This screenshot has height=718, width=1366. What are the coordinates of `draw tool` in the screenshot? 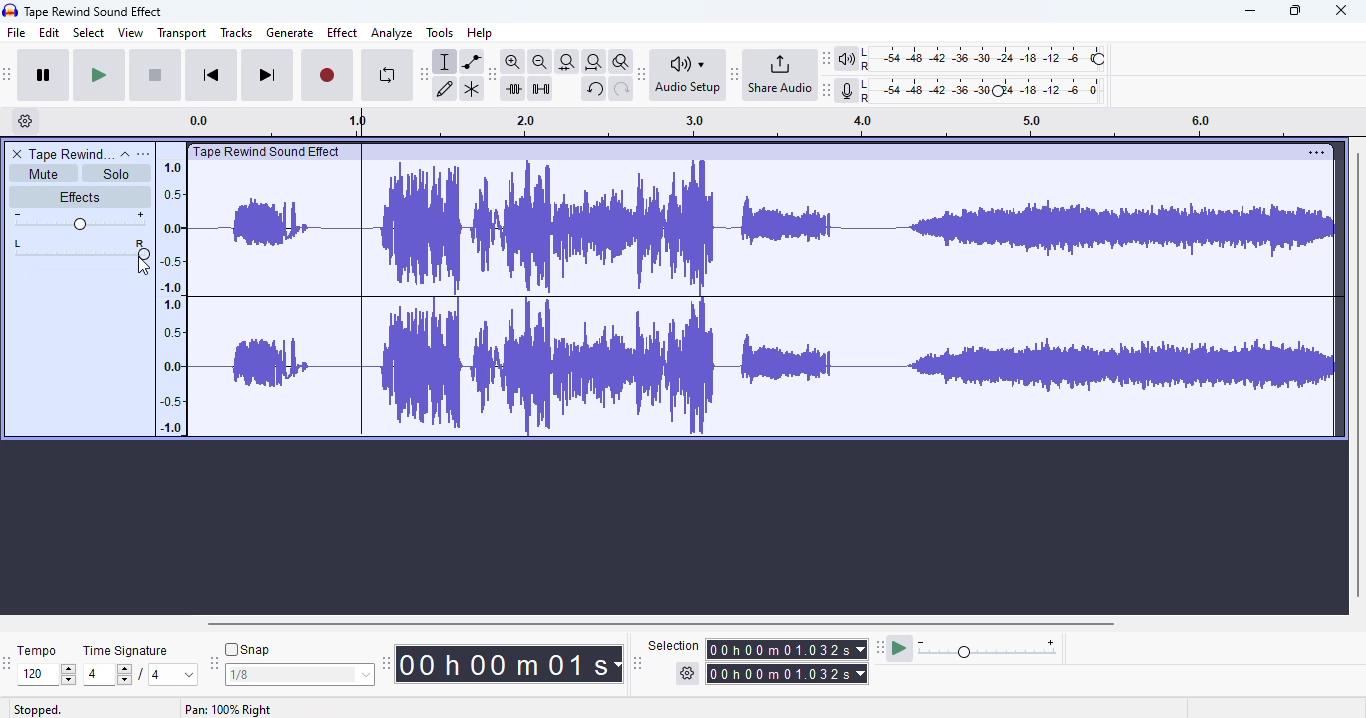 It's located at (445, 90).